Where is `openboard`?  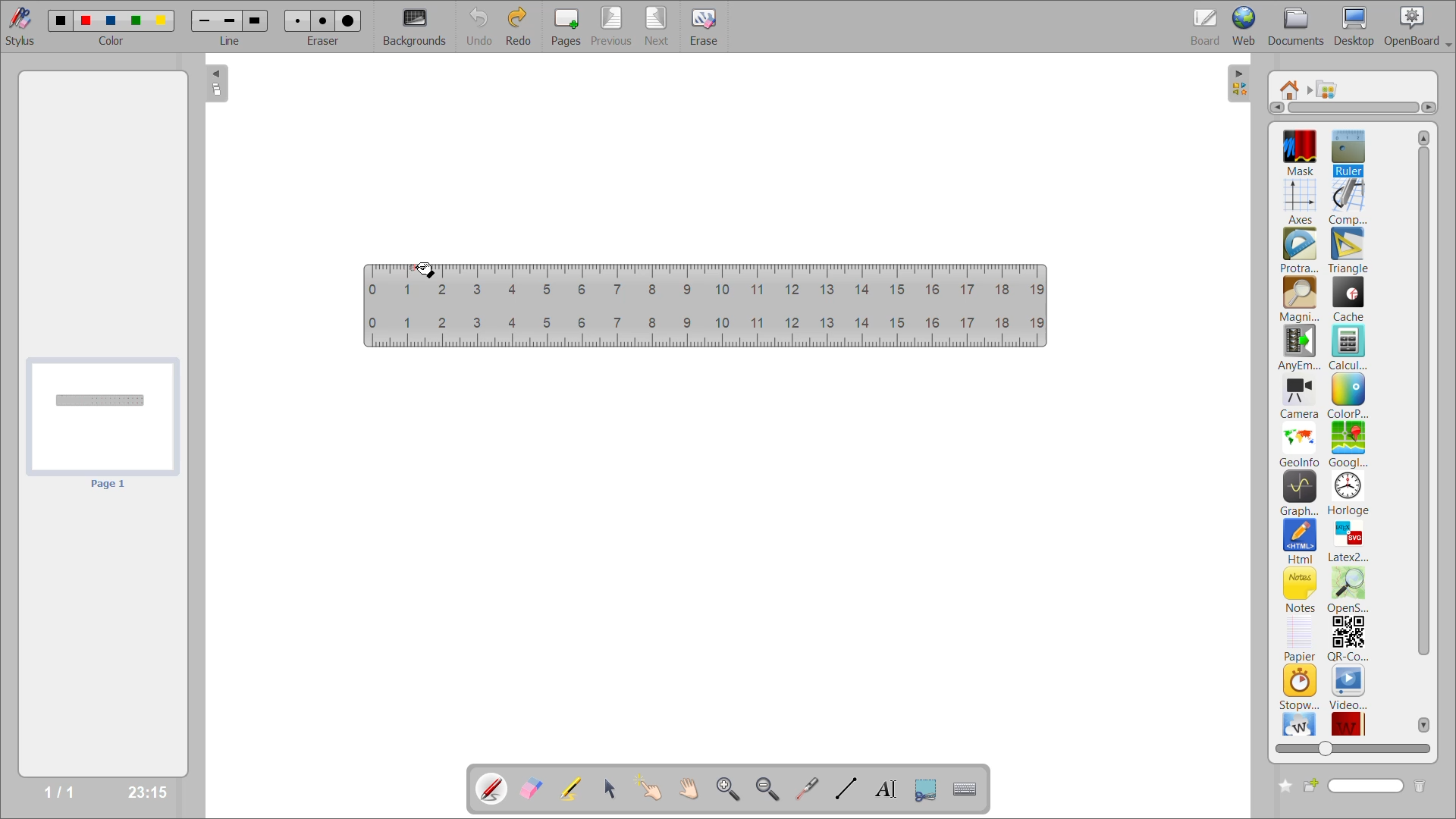 openboard is located at coordinates (1420, 27).